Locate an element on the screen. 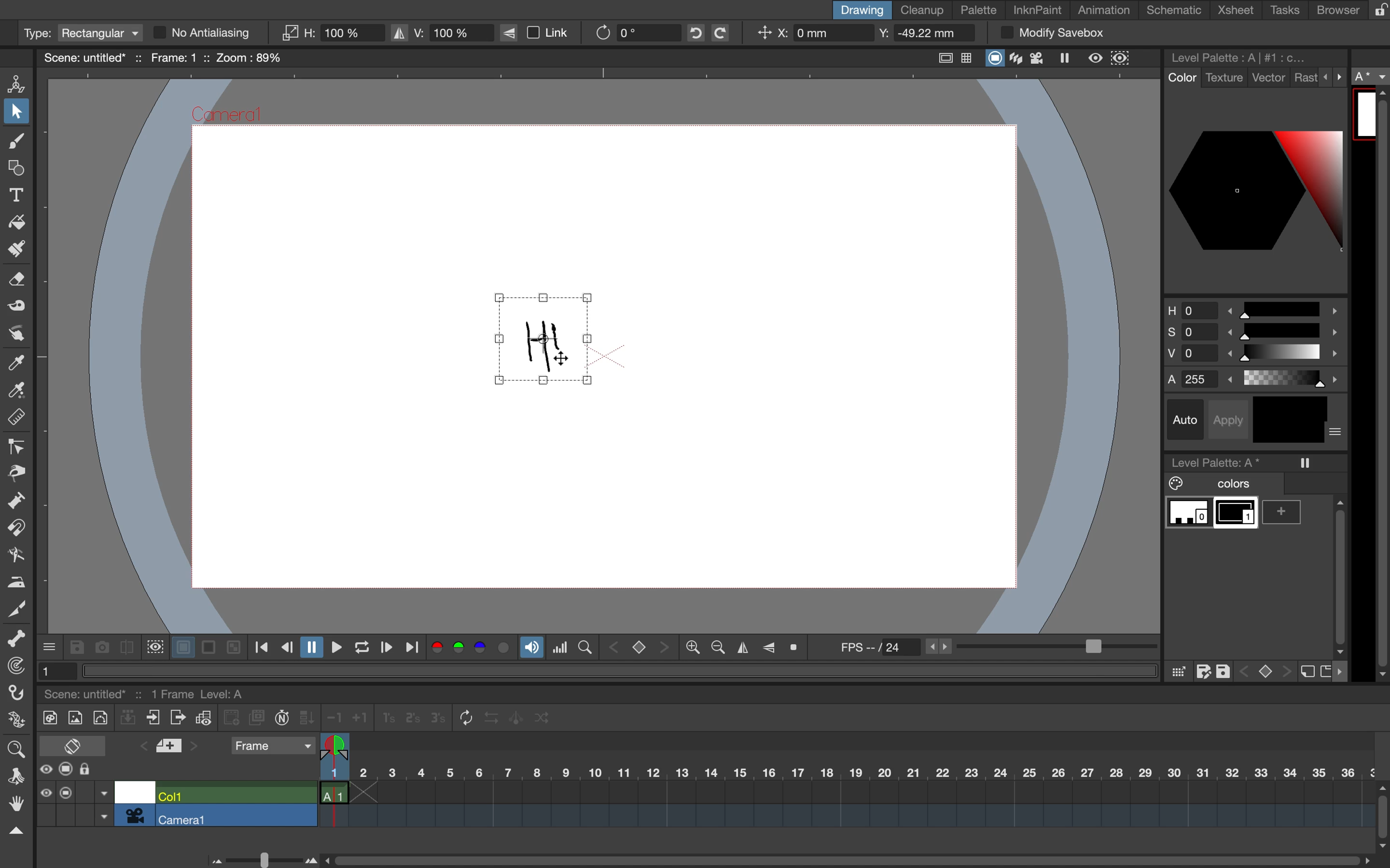 Image resolution: width=1390 pixels, height=868 pixels. collapse is located at coordinates (128, 719).